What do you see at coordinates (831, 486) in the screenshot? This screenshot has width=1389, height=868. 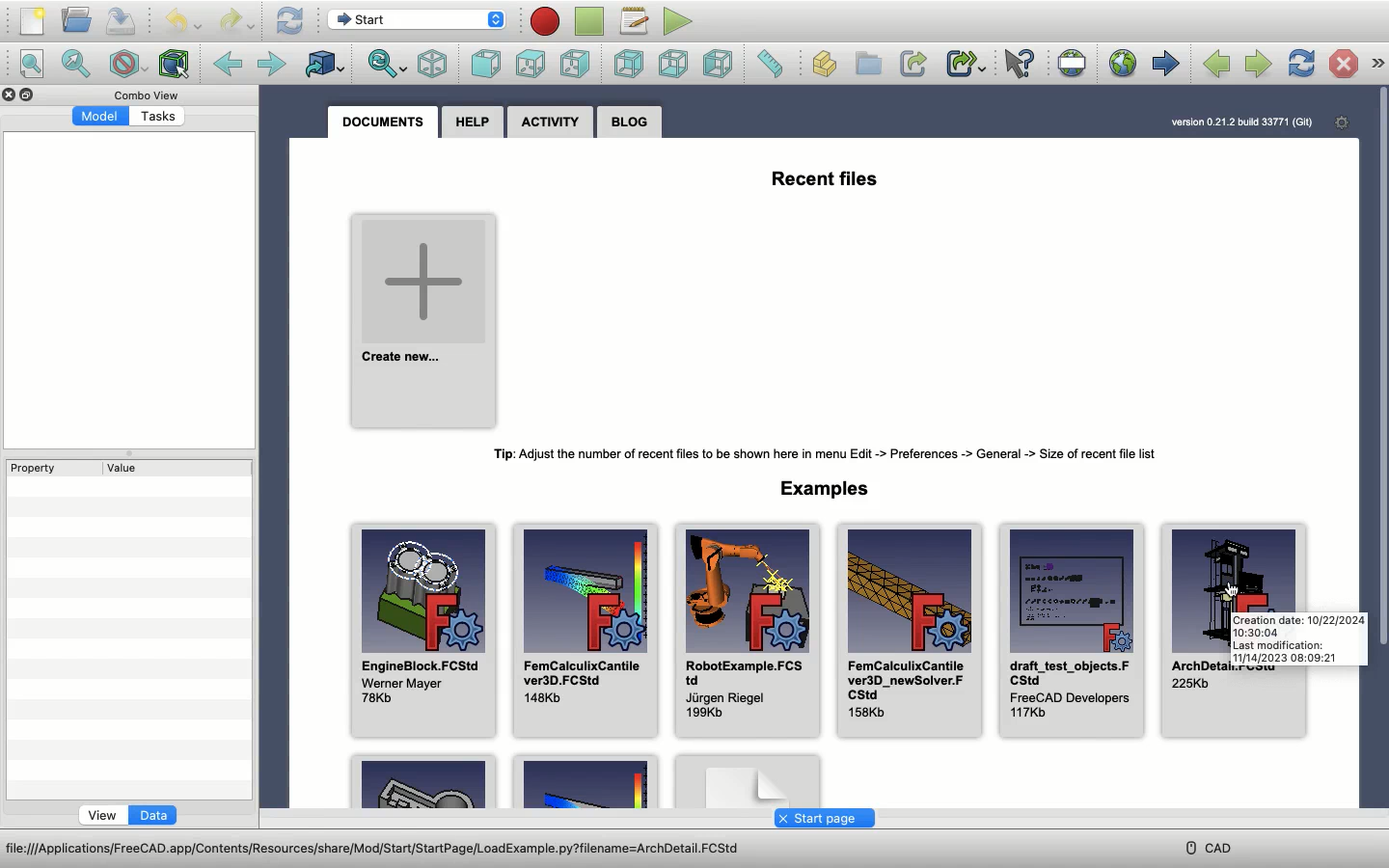 I see `Examples` at bounding box center [831, 486].